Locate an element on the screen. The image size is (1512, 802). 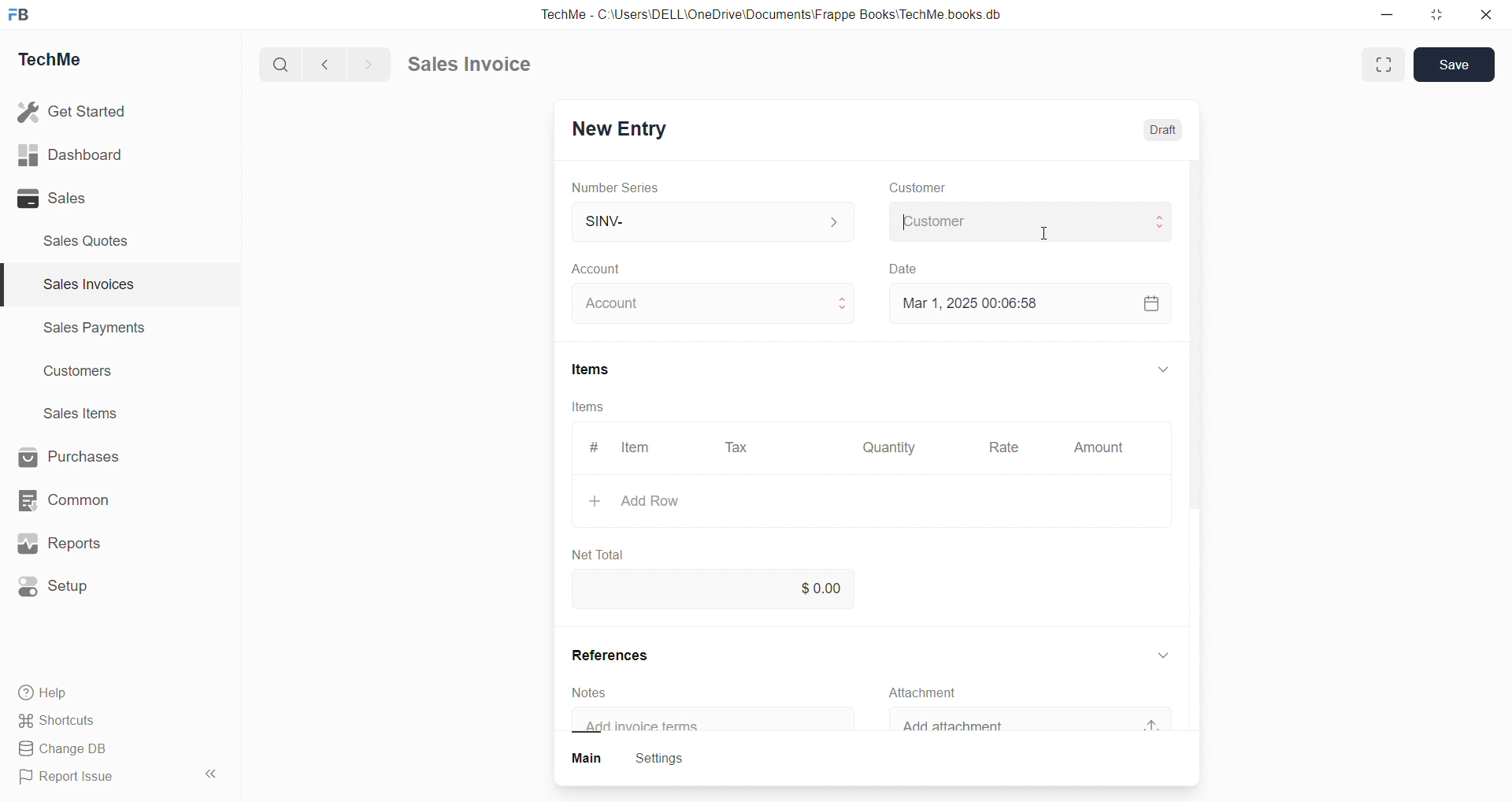
EB Common is located at coordinates (80, 499).